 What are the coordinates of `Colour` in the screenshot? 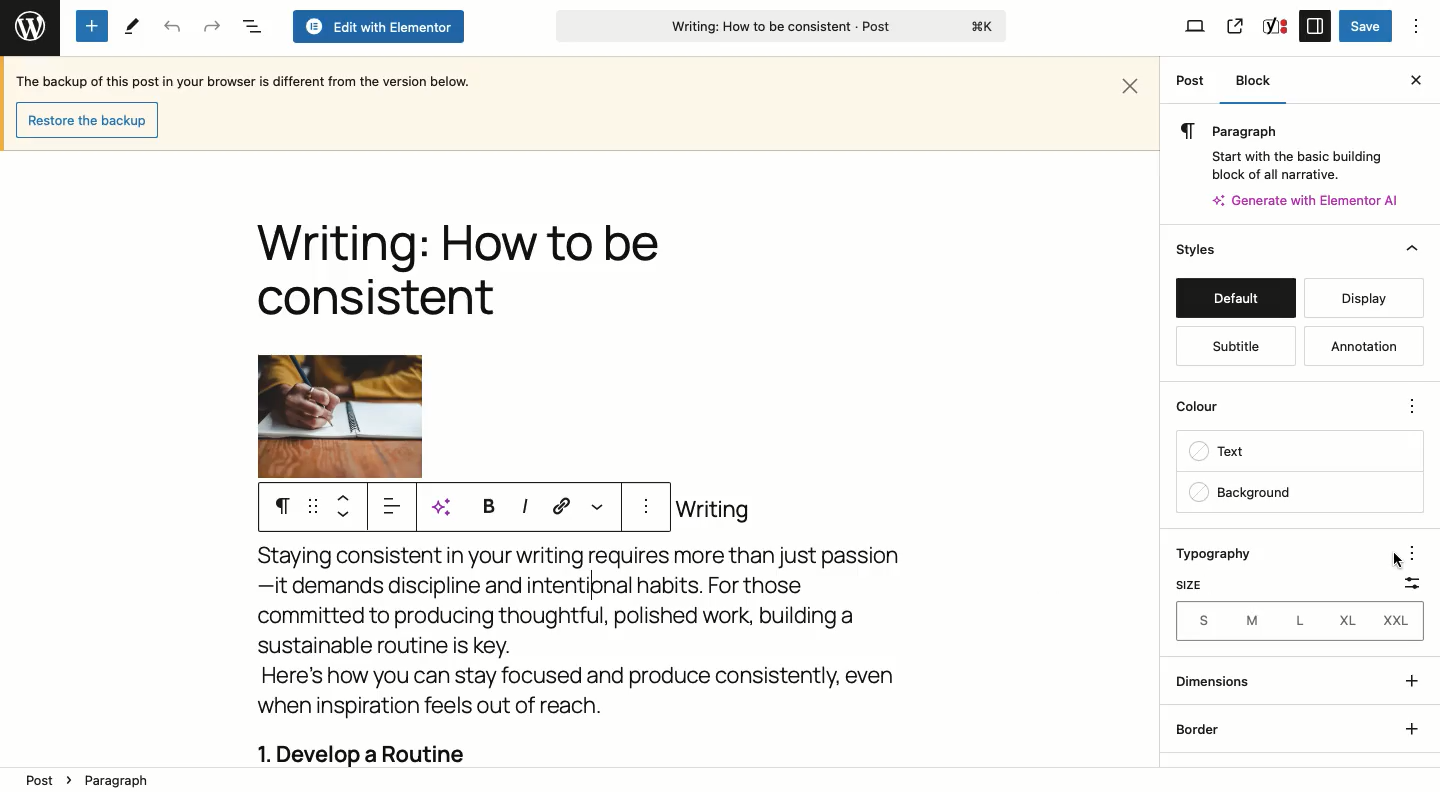 It's located at (1283, 404).